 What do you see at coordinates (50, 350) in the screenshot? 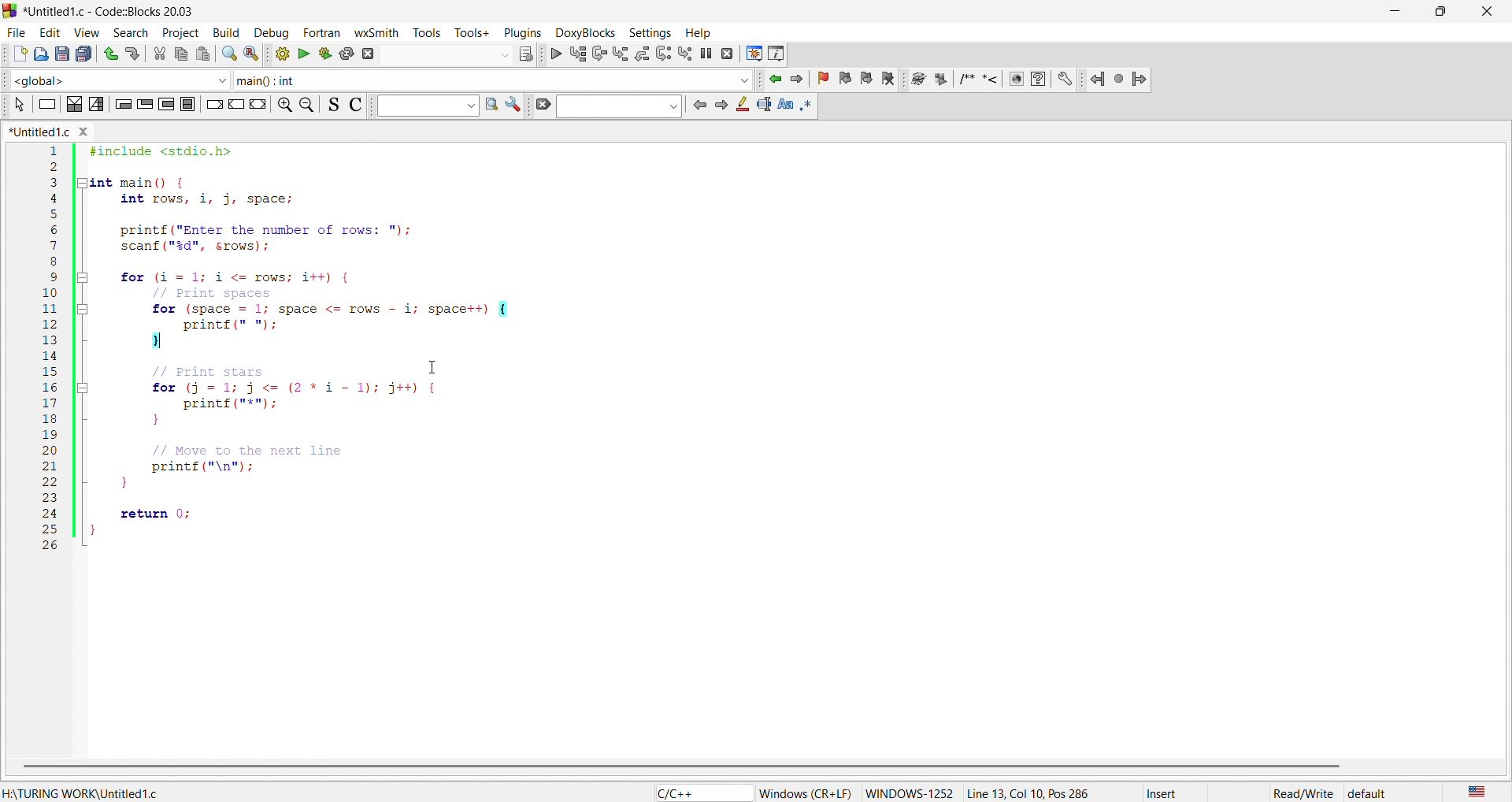
I see `line number` at bounding box center [50, 350].